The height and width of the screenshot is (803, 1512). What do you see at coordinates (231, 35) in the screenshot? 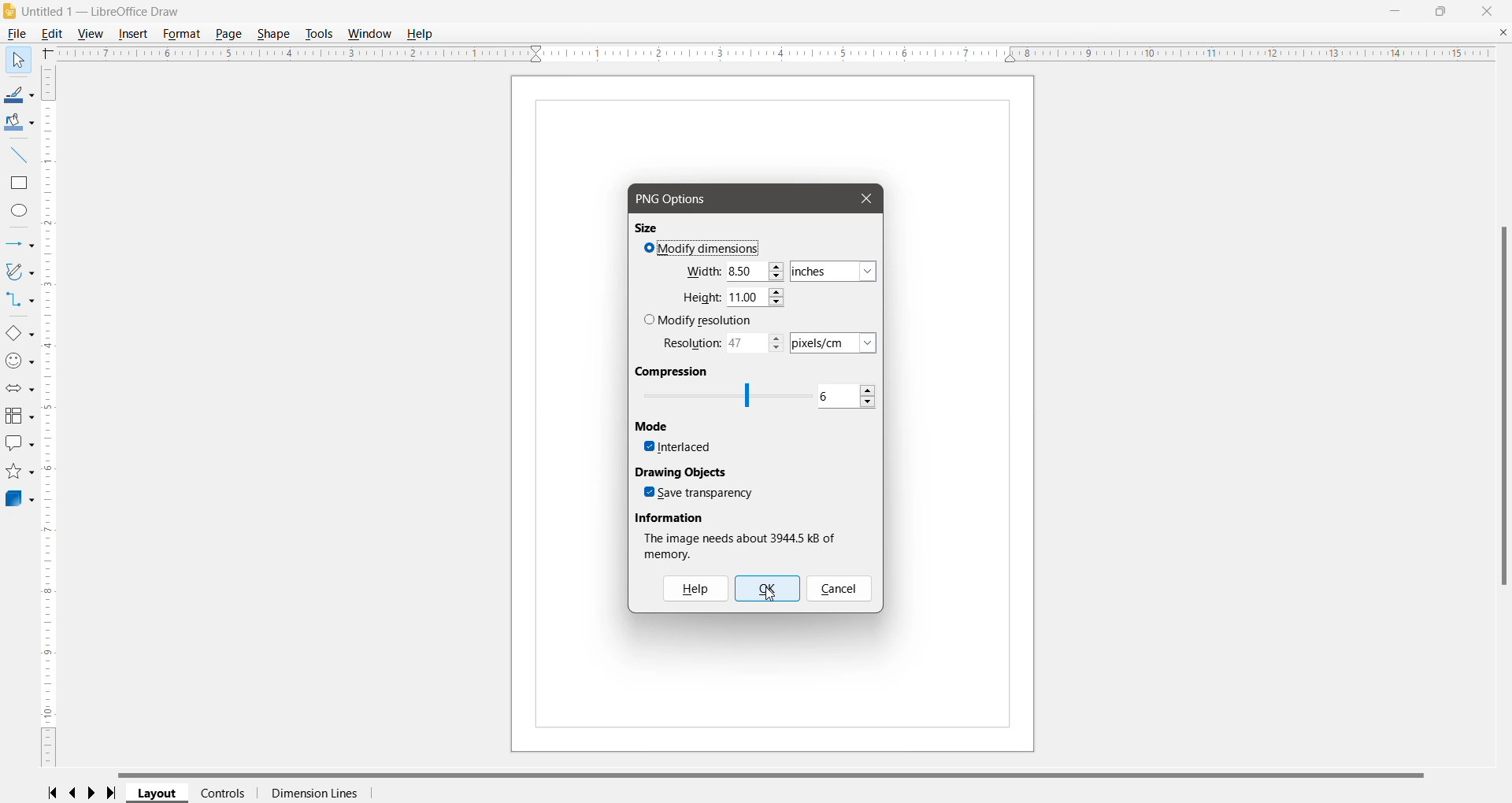
I see `Page` at bounding box center [231, 35].